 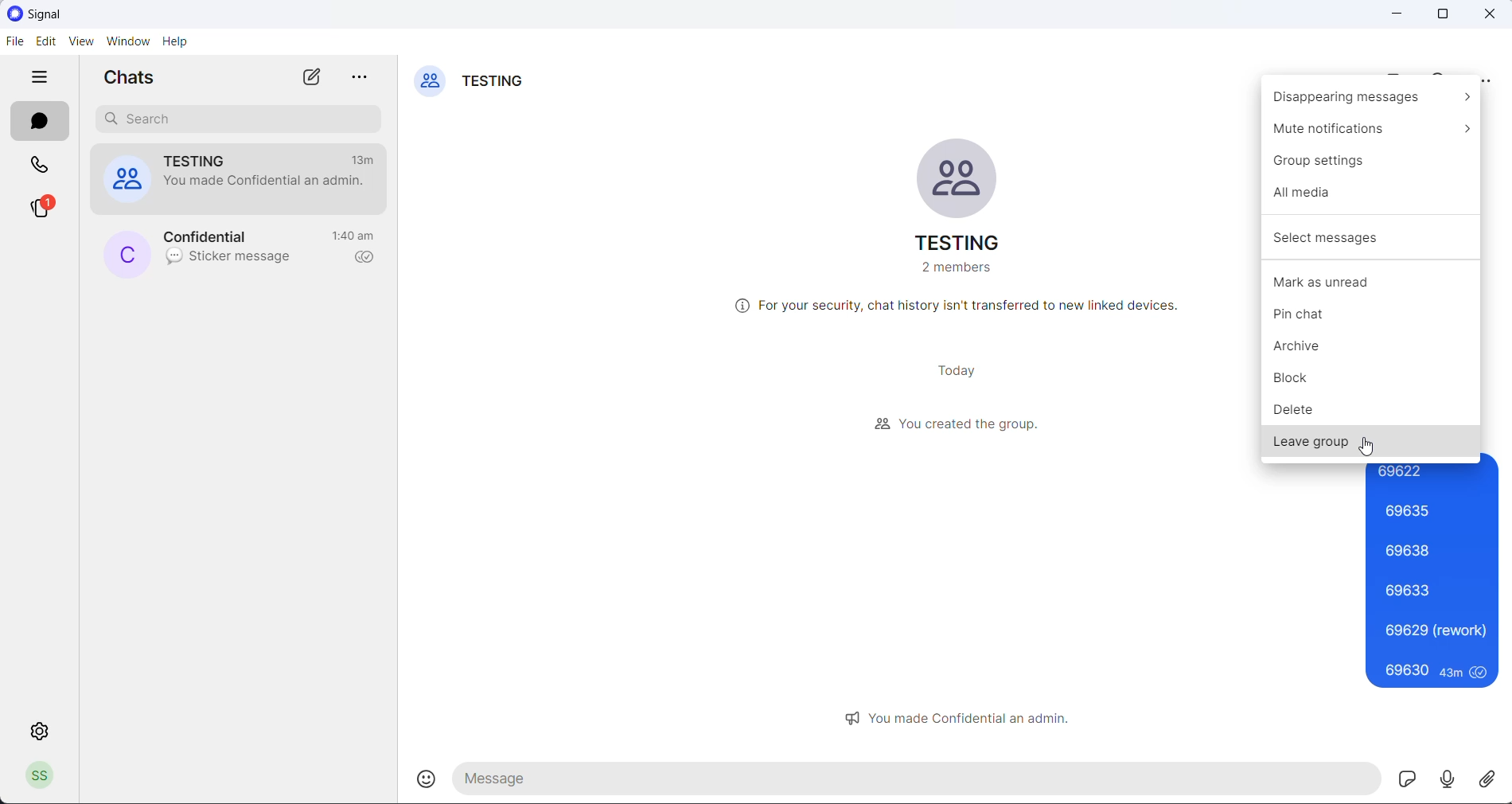 What do you see at coordinates (1376, 353) in the screenshot?
I see `archive` at bounding box center [1376, 353].